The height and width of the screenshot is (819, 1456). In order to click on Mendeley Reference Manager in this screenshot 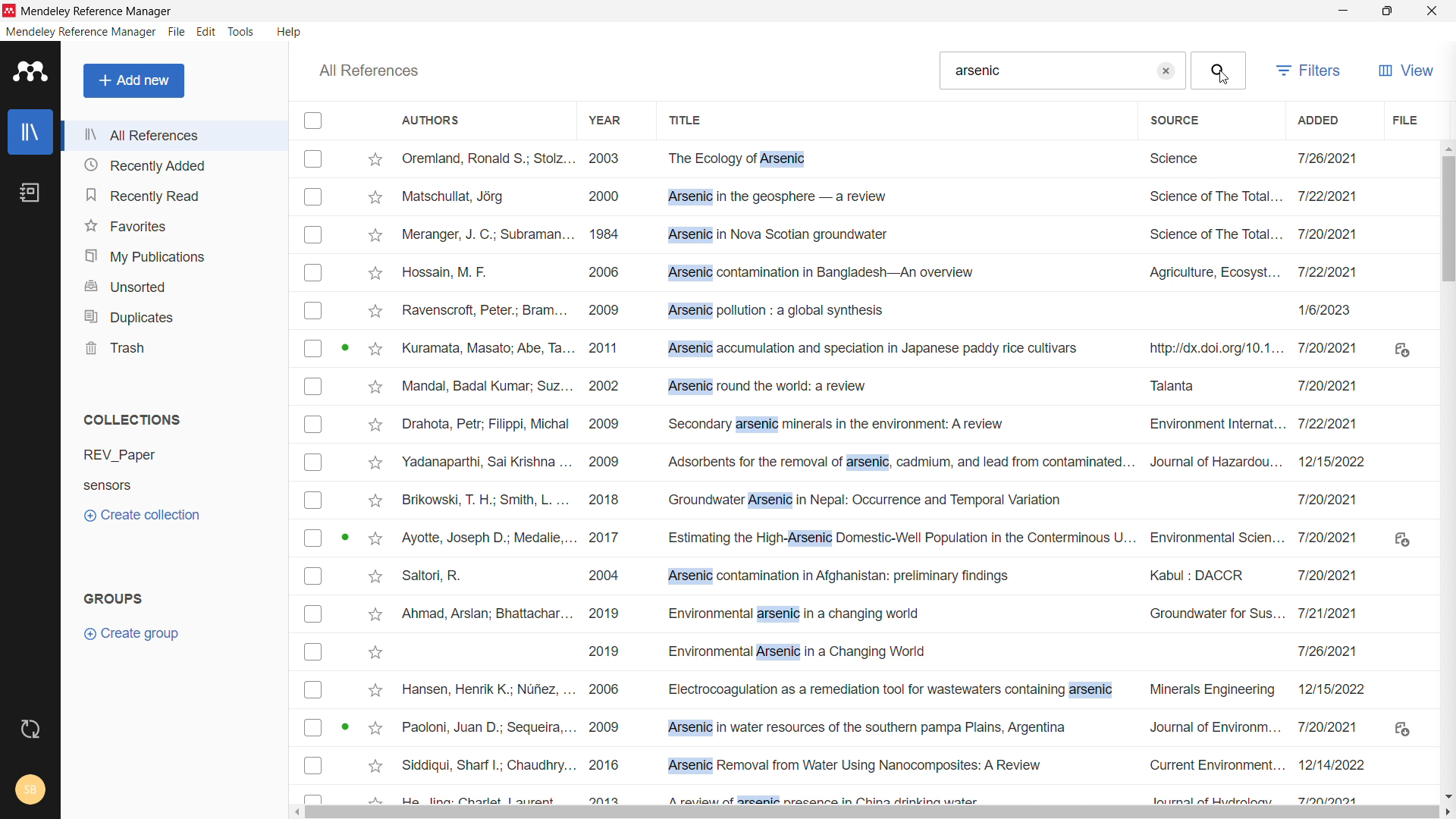, I will do `click(96, 11)`.